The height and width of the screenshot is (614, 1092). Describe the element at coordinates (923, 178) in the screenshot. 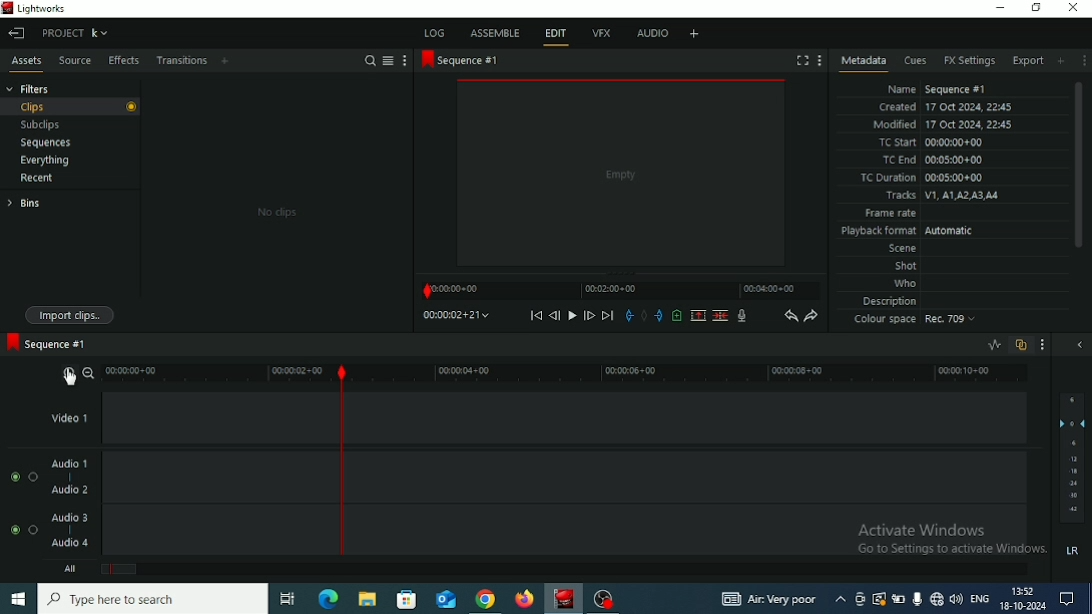

I see `TC Duration` at that location.